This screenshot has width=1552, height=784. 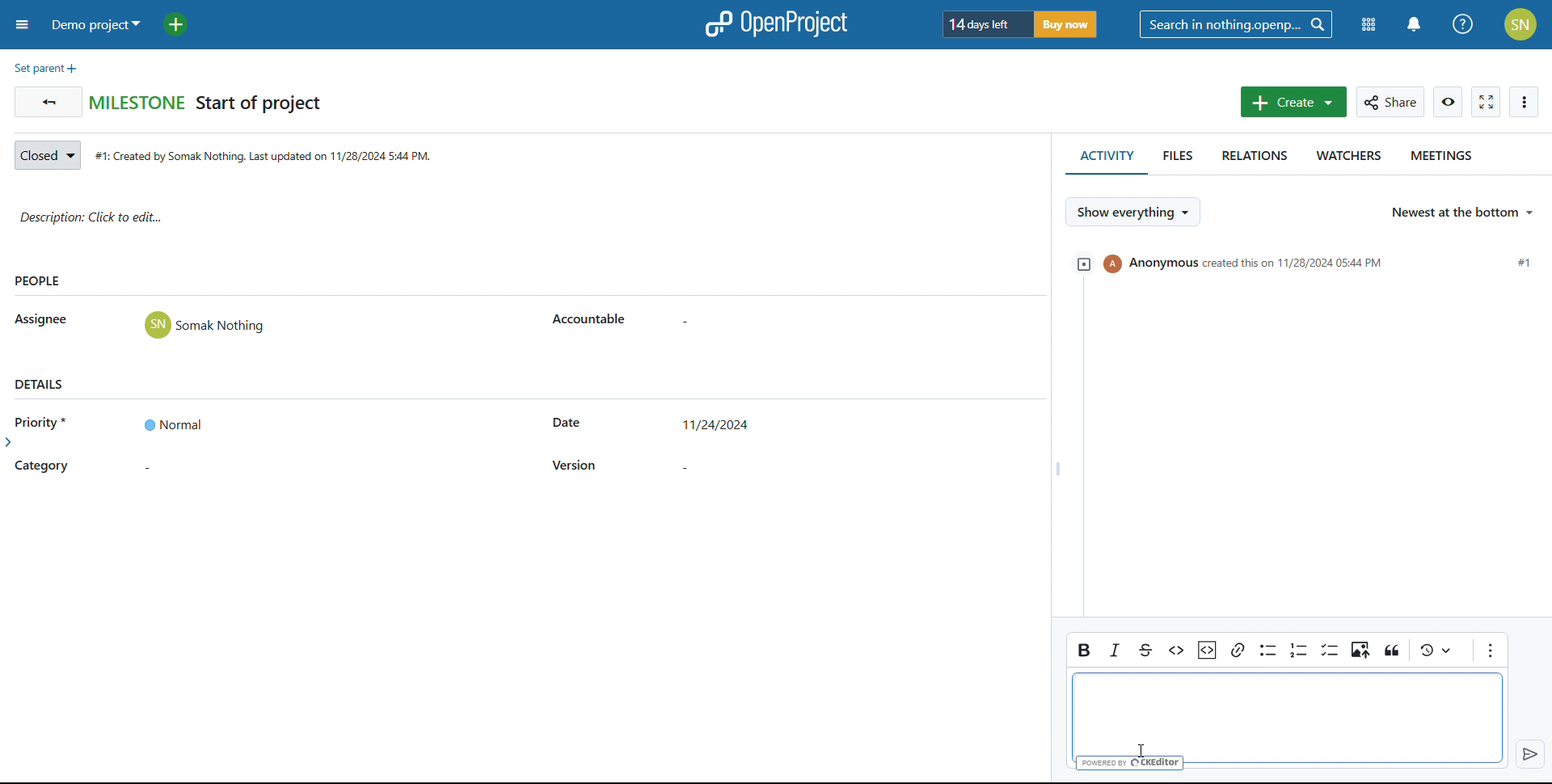 What do you see at coordinates (268, 157) in the screenshot?
I see `creation date` at bounding box center [268, 157].